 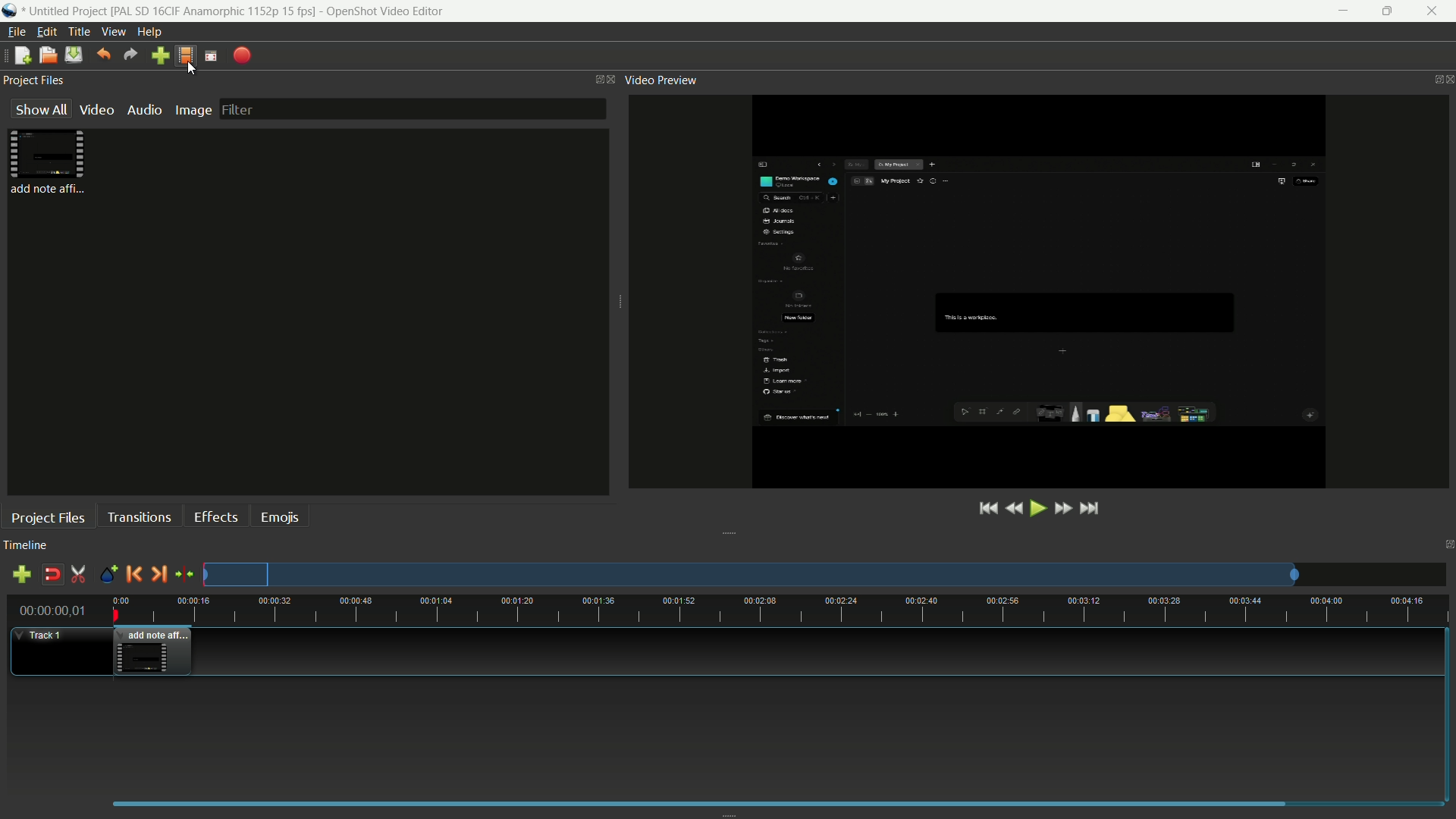 What do you see at coordinates (143, 108) in the screenshot?
I see `audio` at bounding box center [143, 108].